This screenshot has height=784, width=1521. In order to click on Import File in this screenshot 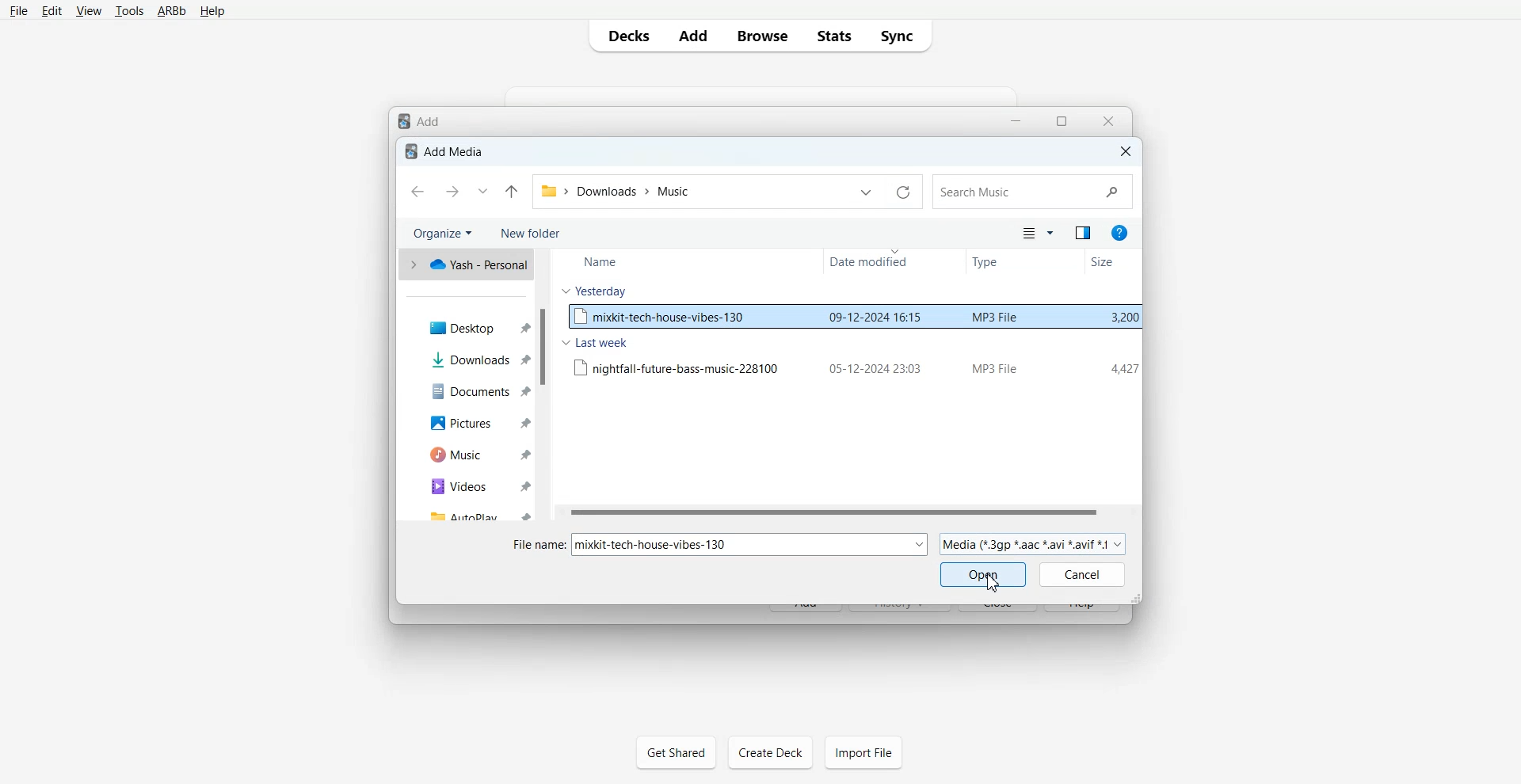, I will do `click(863, 752)`.